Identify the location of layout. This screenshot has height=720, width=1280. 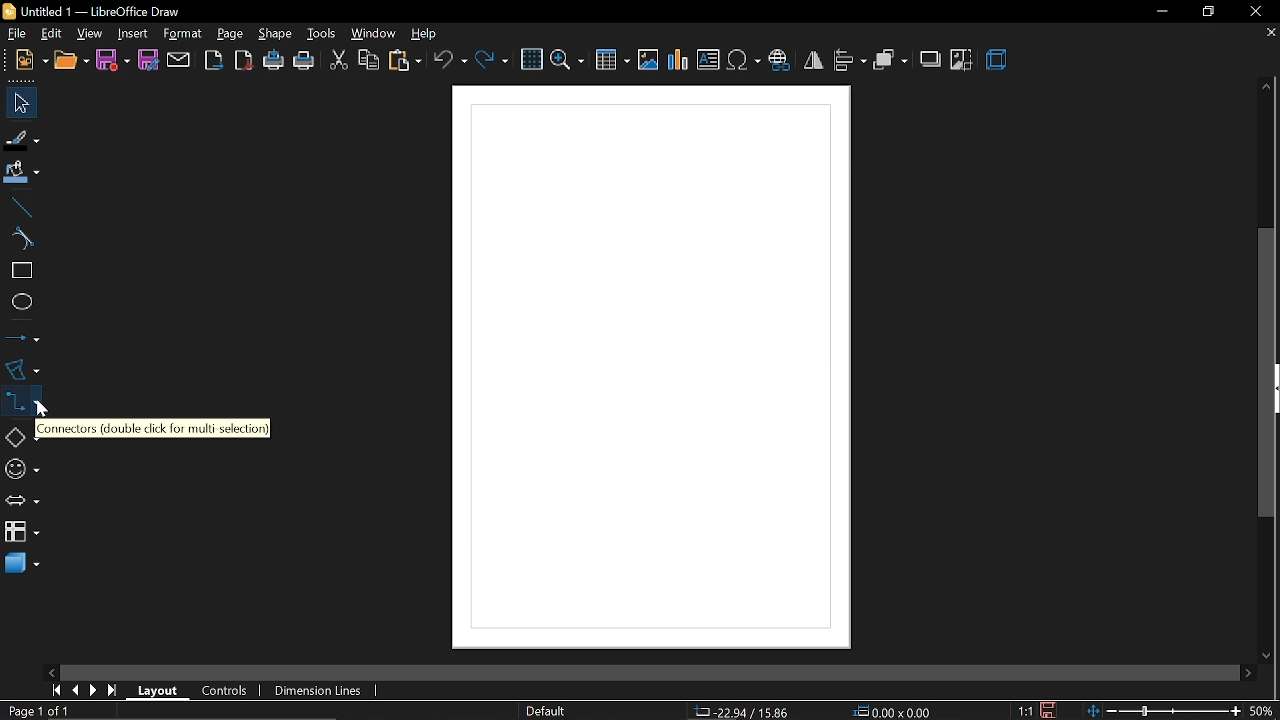
(159, 691).